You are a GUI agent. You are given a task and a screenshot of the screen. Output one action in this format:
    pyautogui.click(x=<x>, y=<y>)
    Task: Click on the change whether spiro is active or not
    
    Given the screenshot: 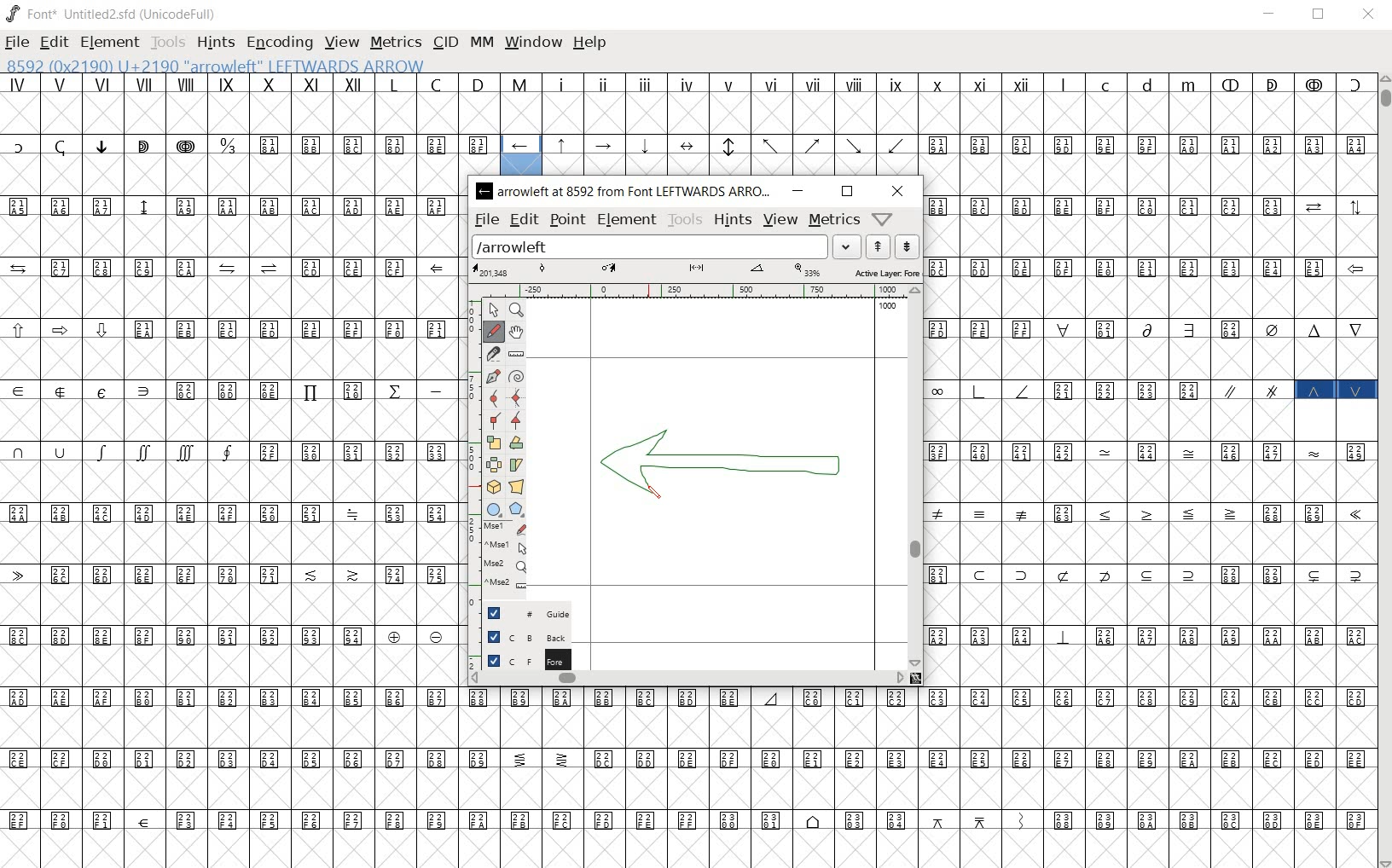 What is the action you would take?
    pyautogui.click(x=518, y=376)
    